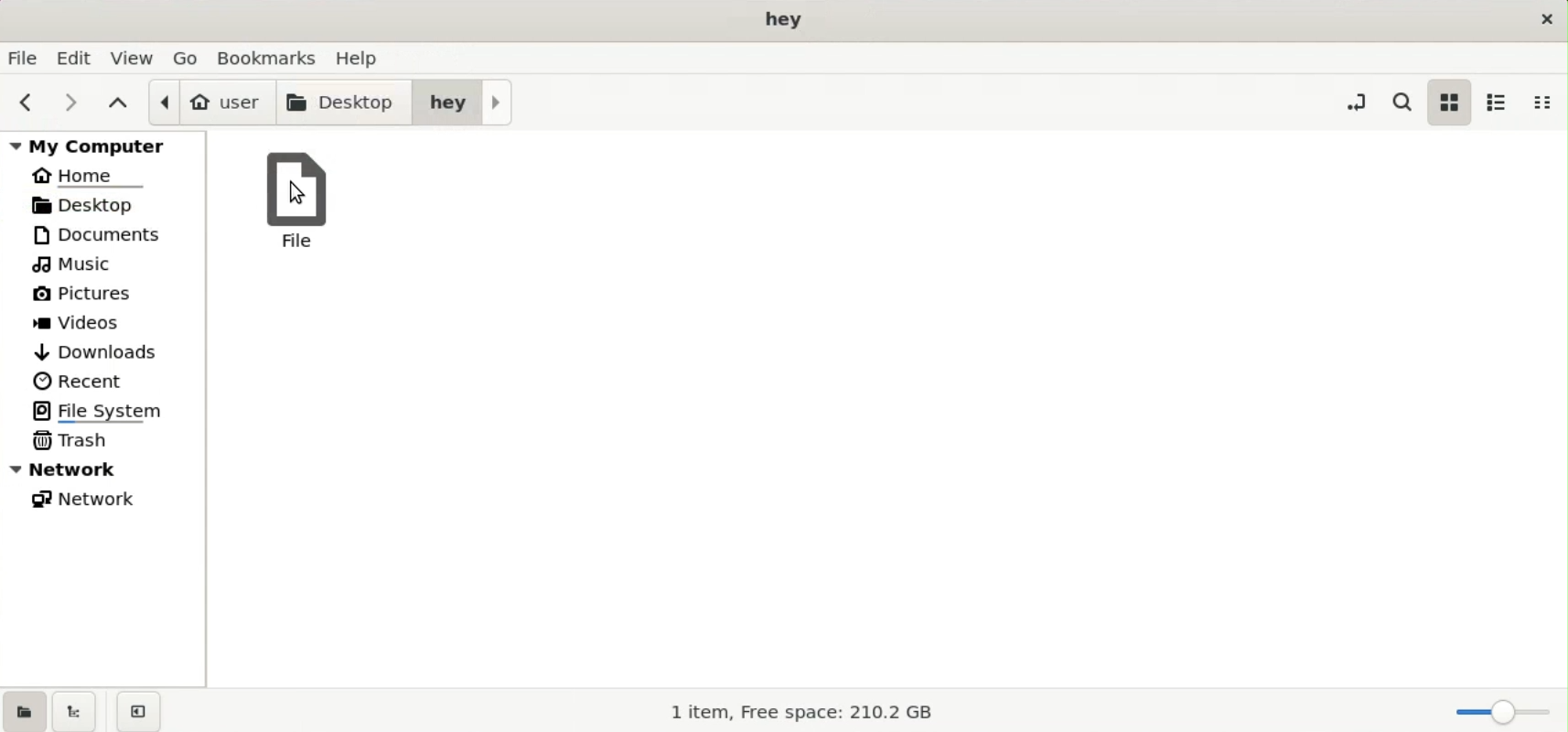 This screenshot has width=1568, height=732. Describe the element at coordinates (1406, 102) in the screenshot. I see `search` at that location.